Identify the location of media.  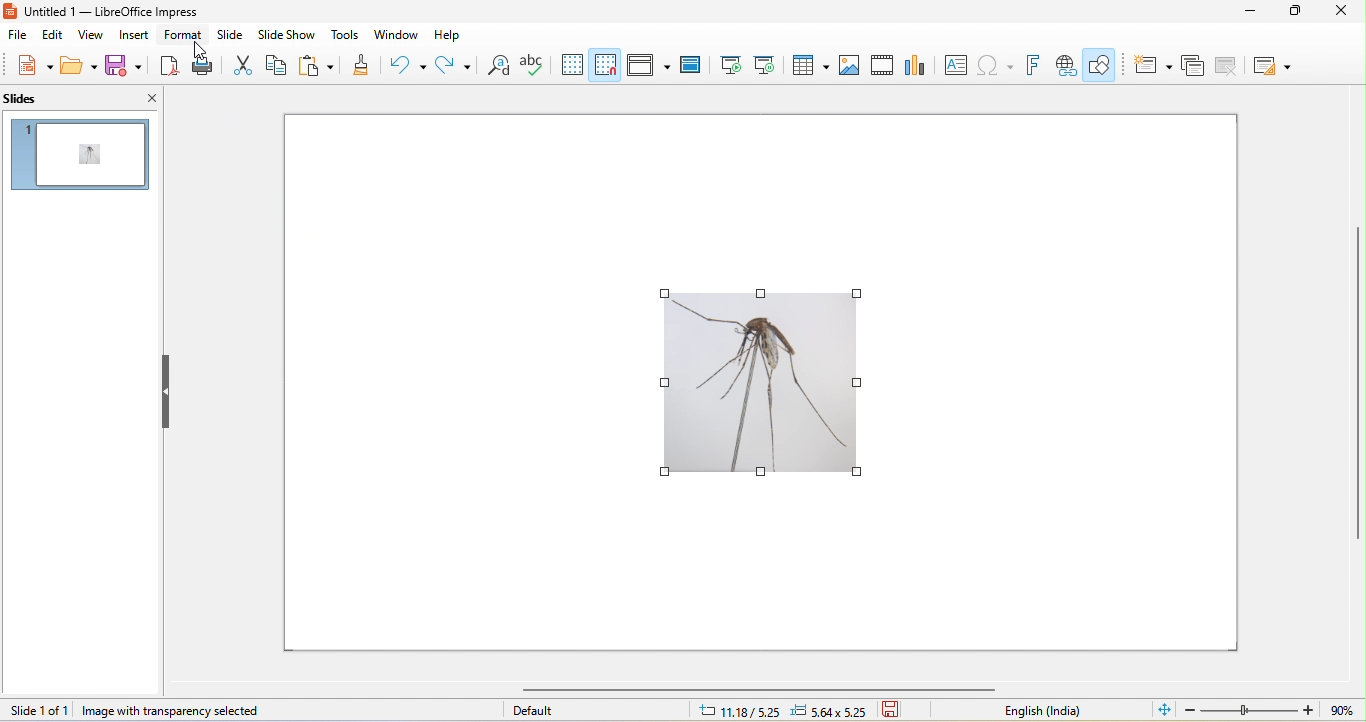
(882, 65).